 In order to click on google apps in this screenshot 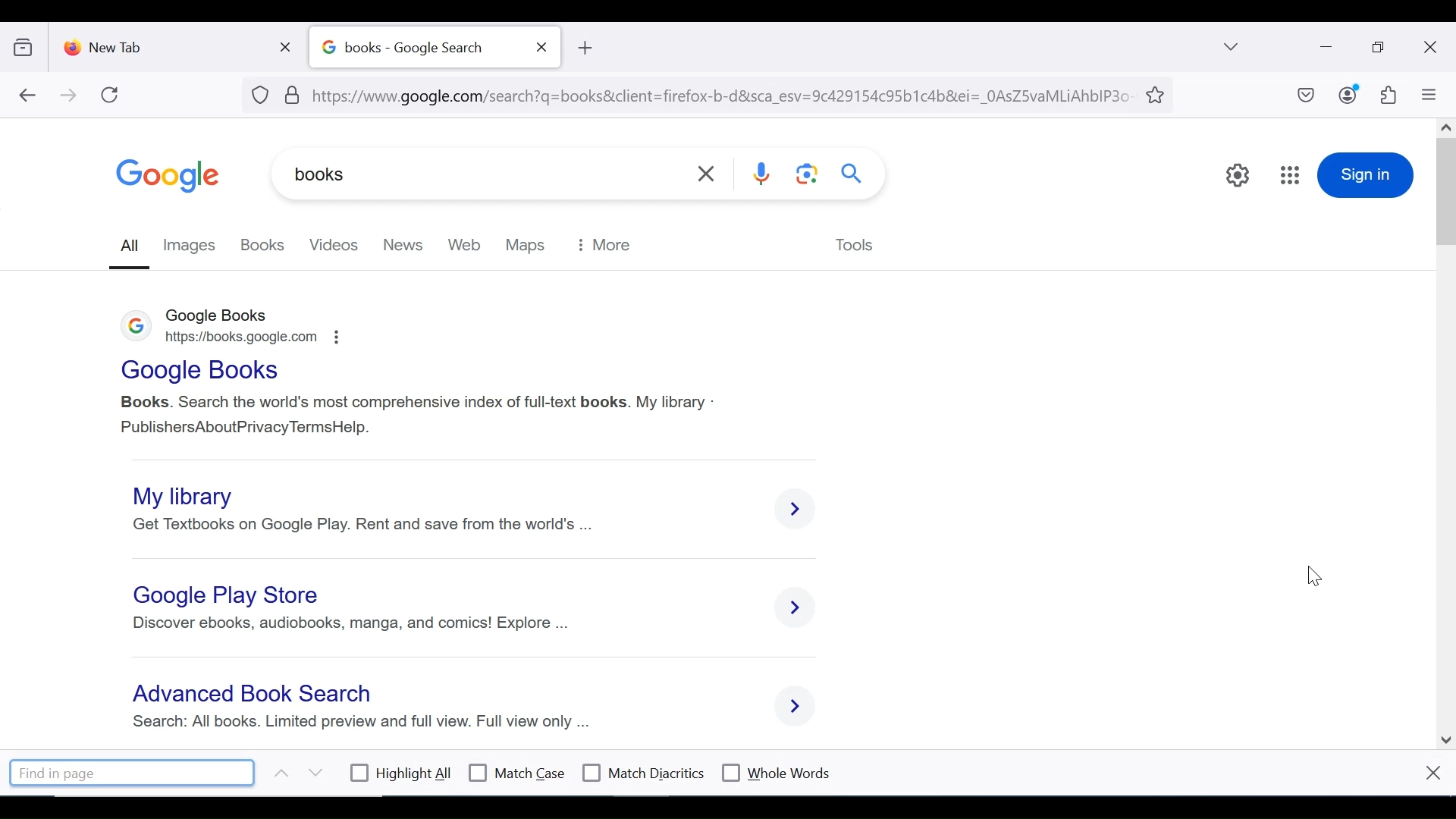, I will do `click(1291, 176)`.